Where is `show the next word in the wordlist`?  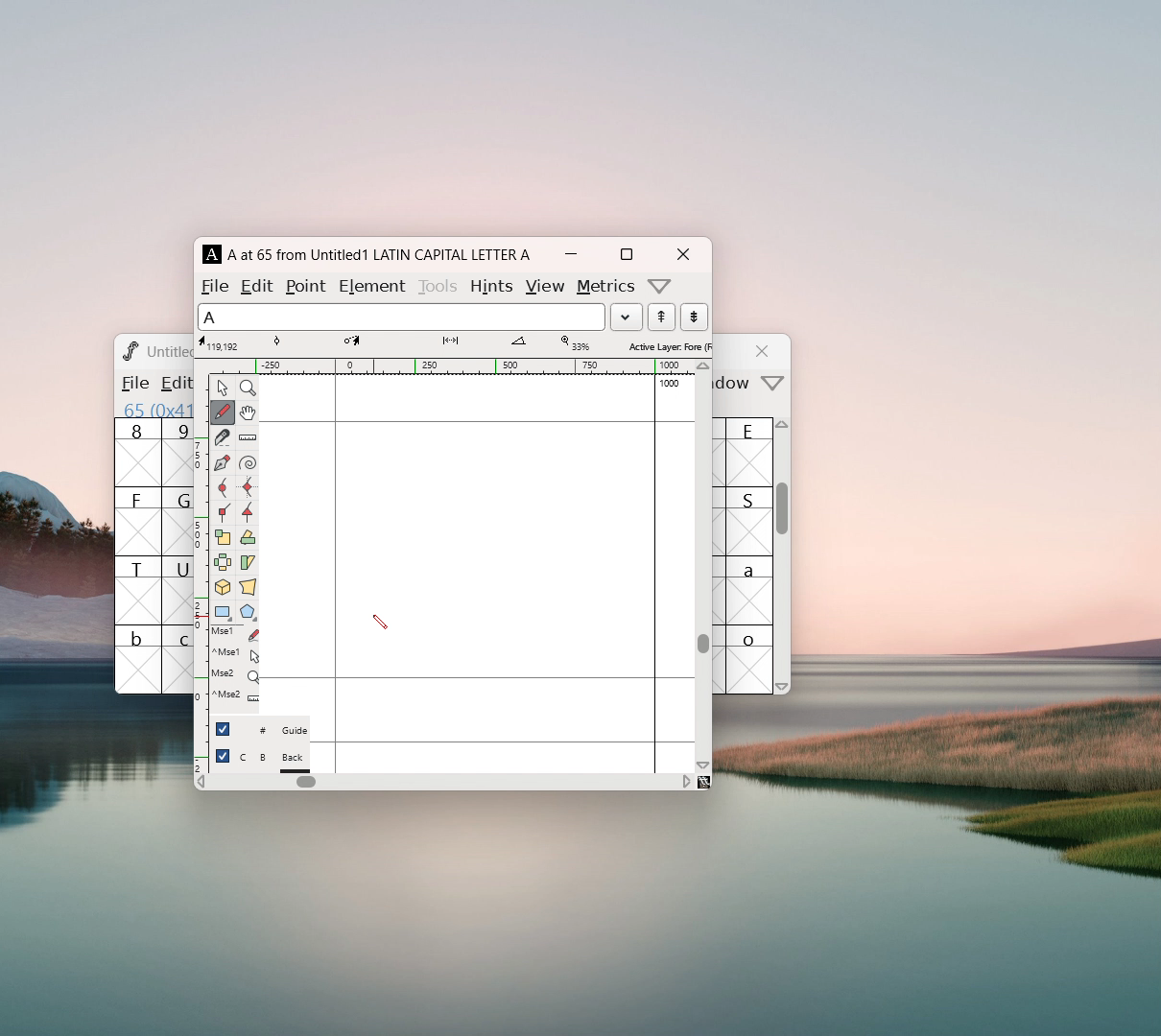
show the next word in the wordlist is located at coordinates (661, 318).